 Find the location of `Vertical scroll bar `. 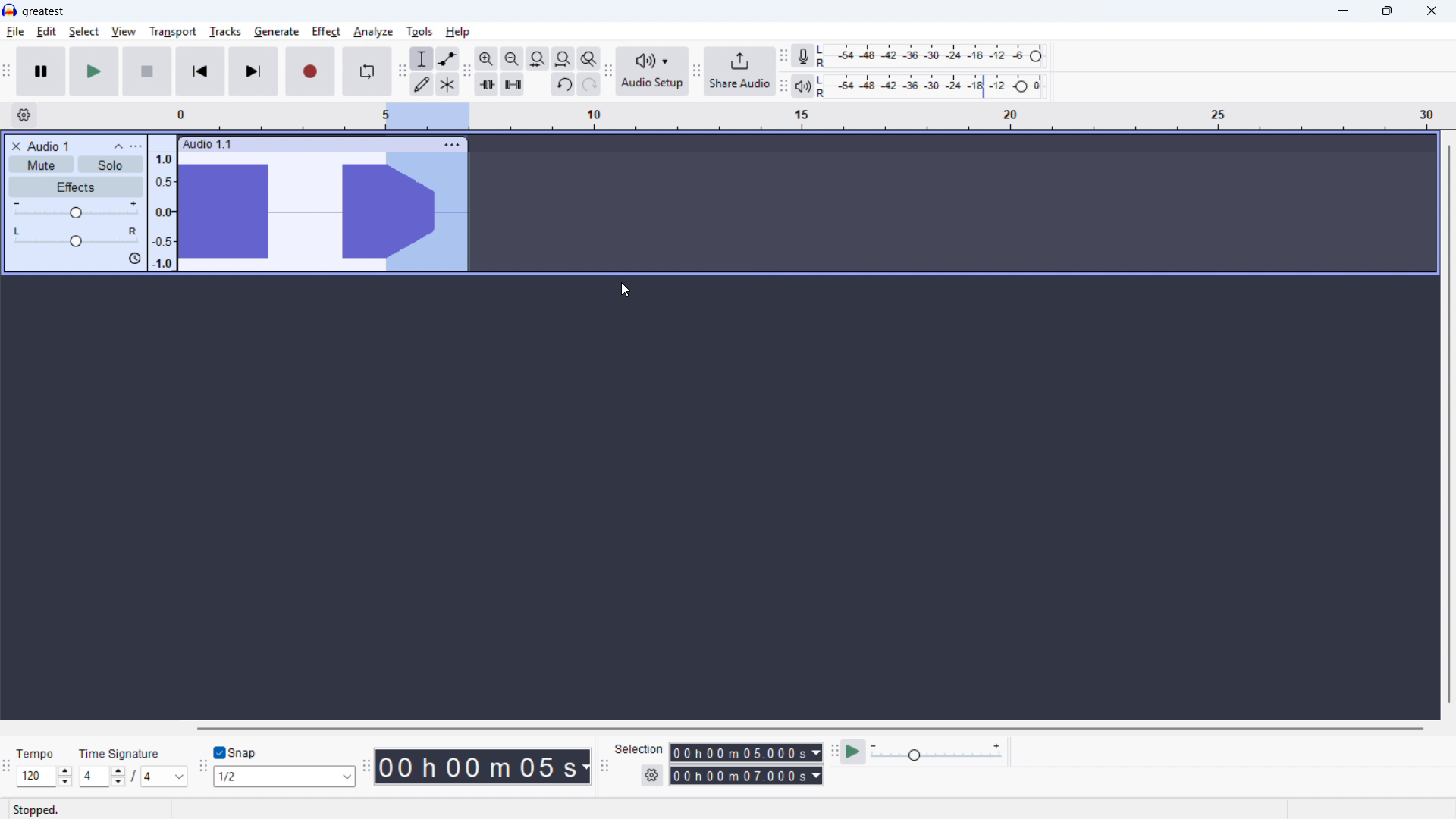

Vertical scroll bar  is located at coordinates (1449, 425).